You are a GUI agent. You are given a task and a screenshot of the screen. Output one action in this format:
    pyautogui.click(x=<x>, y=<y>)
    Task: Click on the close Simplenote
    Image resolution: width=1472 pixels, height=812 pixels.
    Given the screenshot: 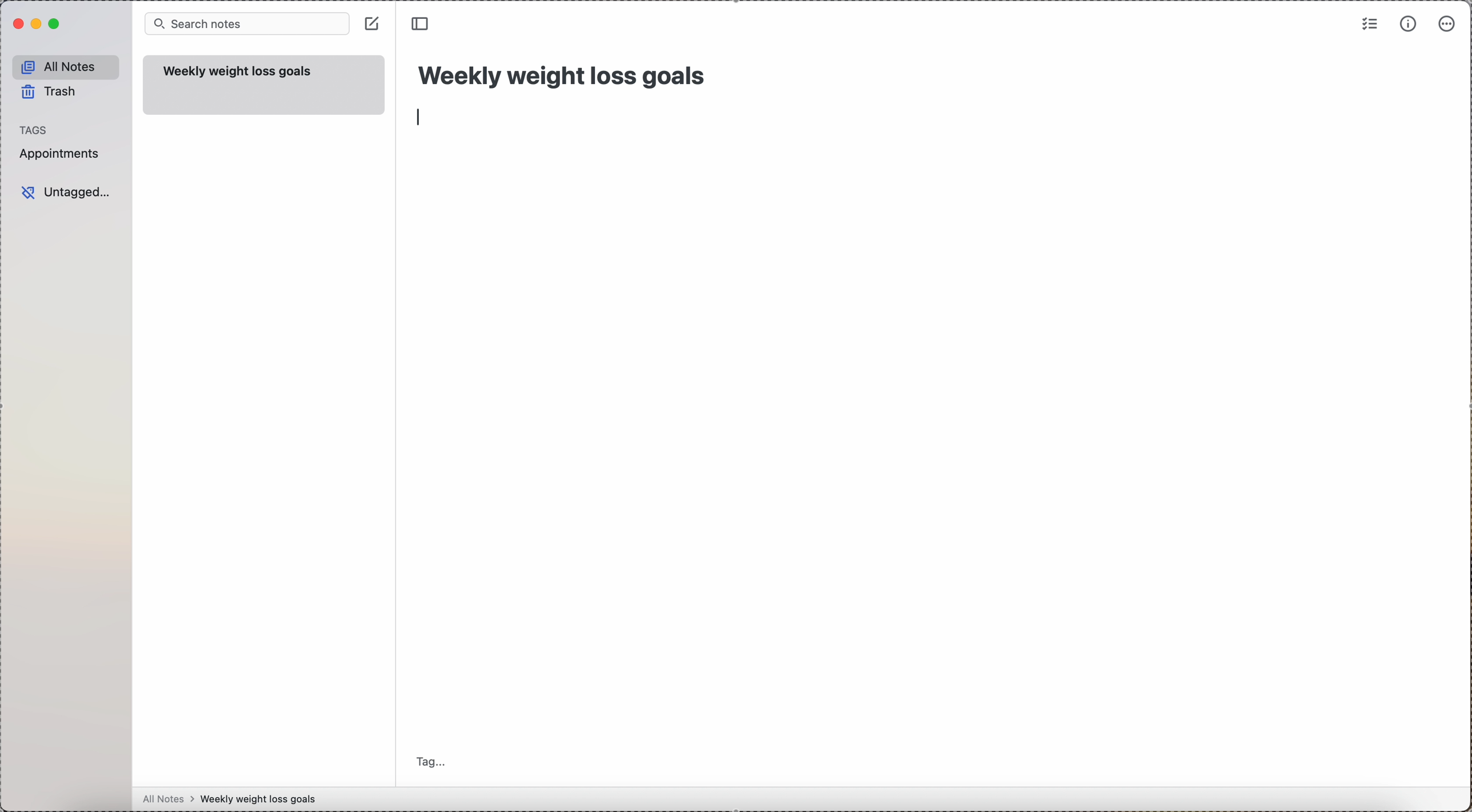 What is the action you would take?
    pyautogui.click(x=18, y=23)
    